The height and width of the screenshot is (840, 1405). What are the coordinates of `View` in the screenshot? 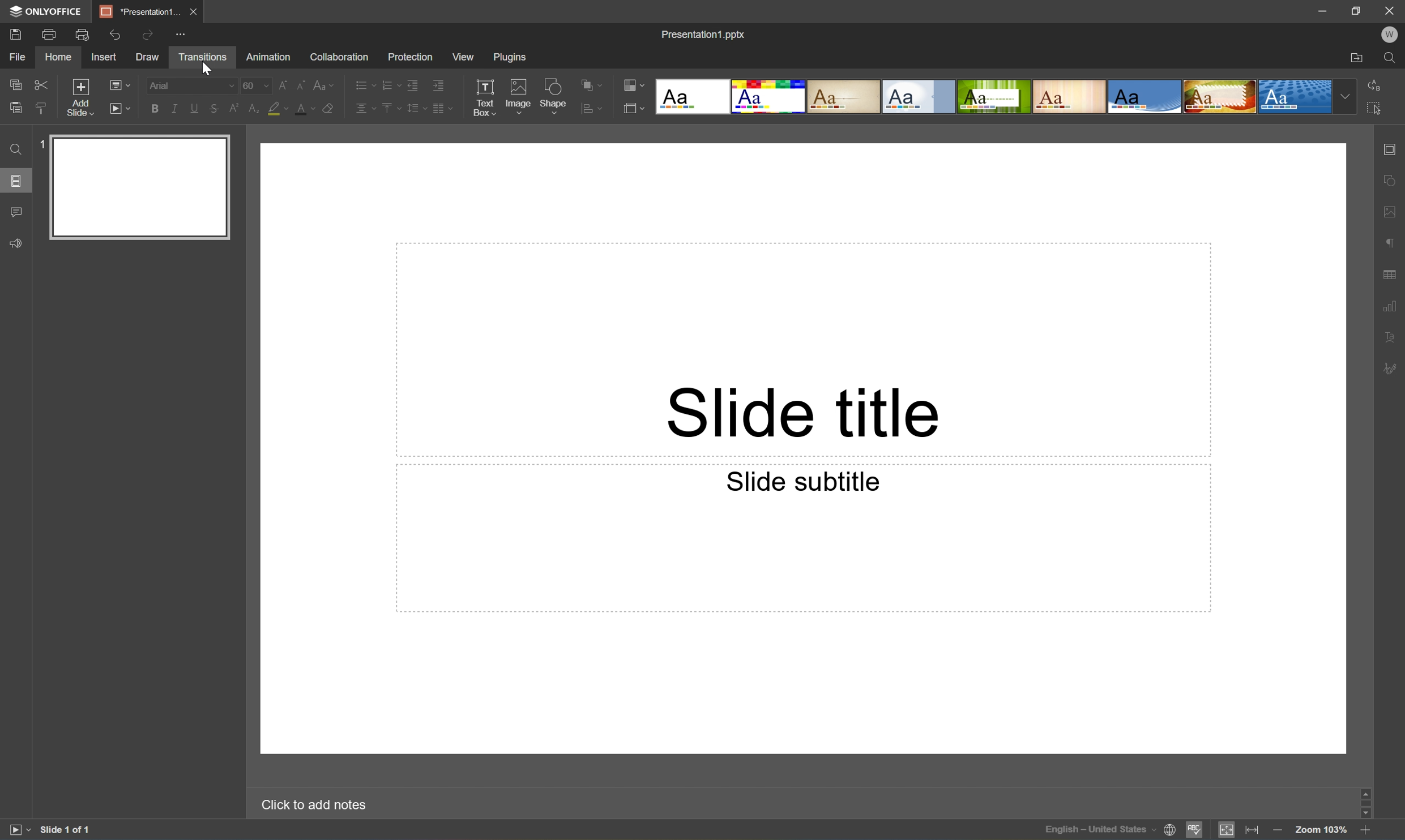 It's located at (463, 58).